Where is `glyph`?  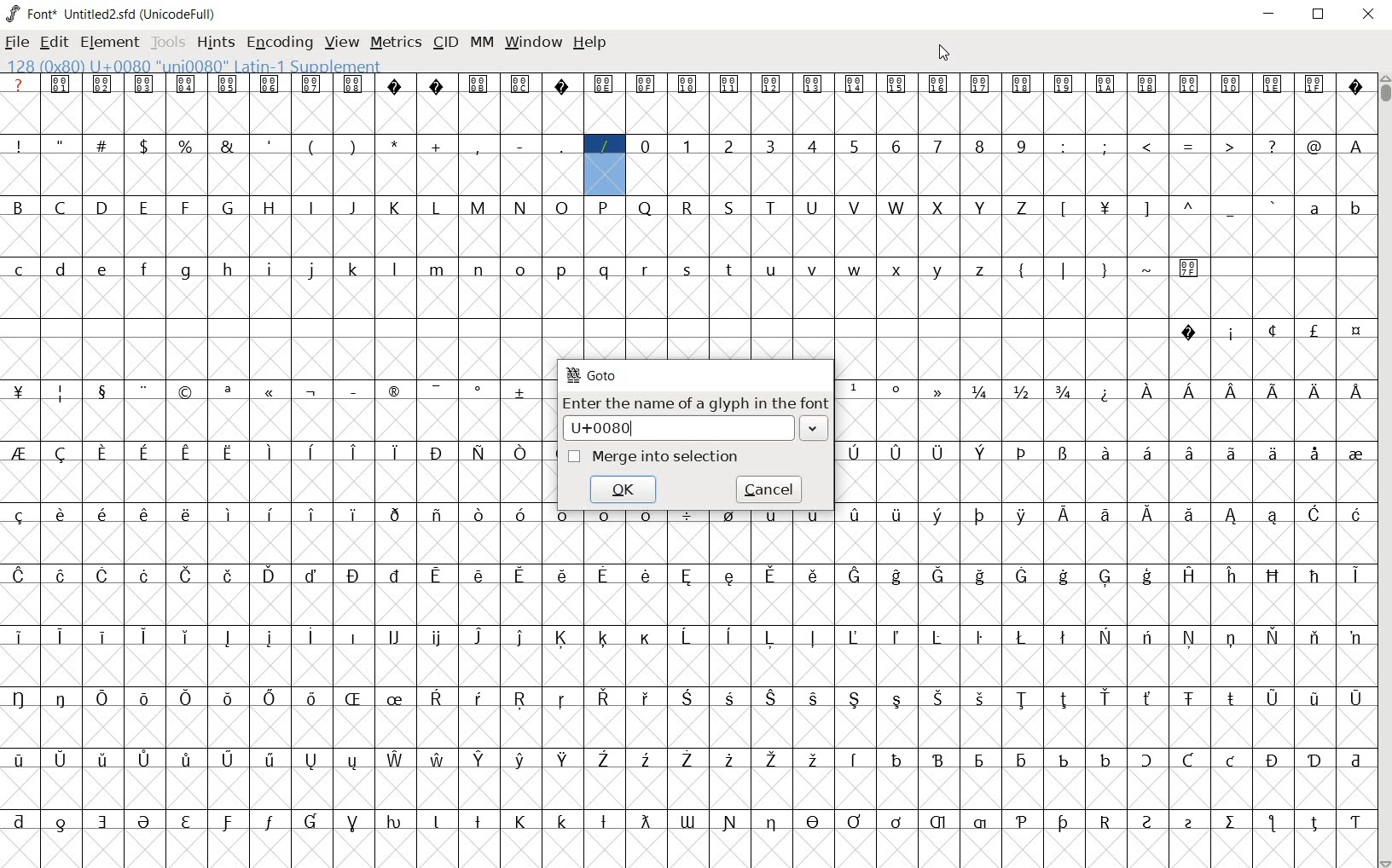 glyph is located at coordinates (769, 146).